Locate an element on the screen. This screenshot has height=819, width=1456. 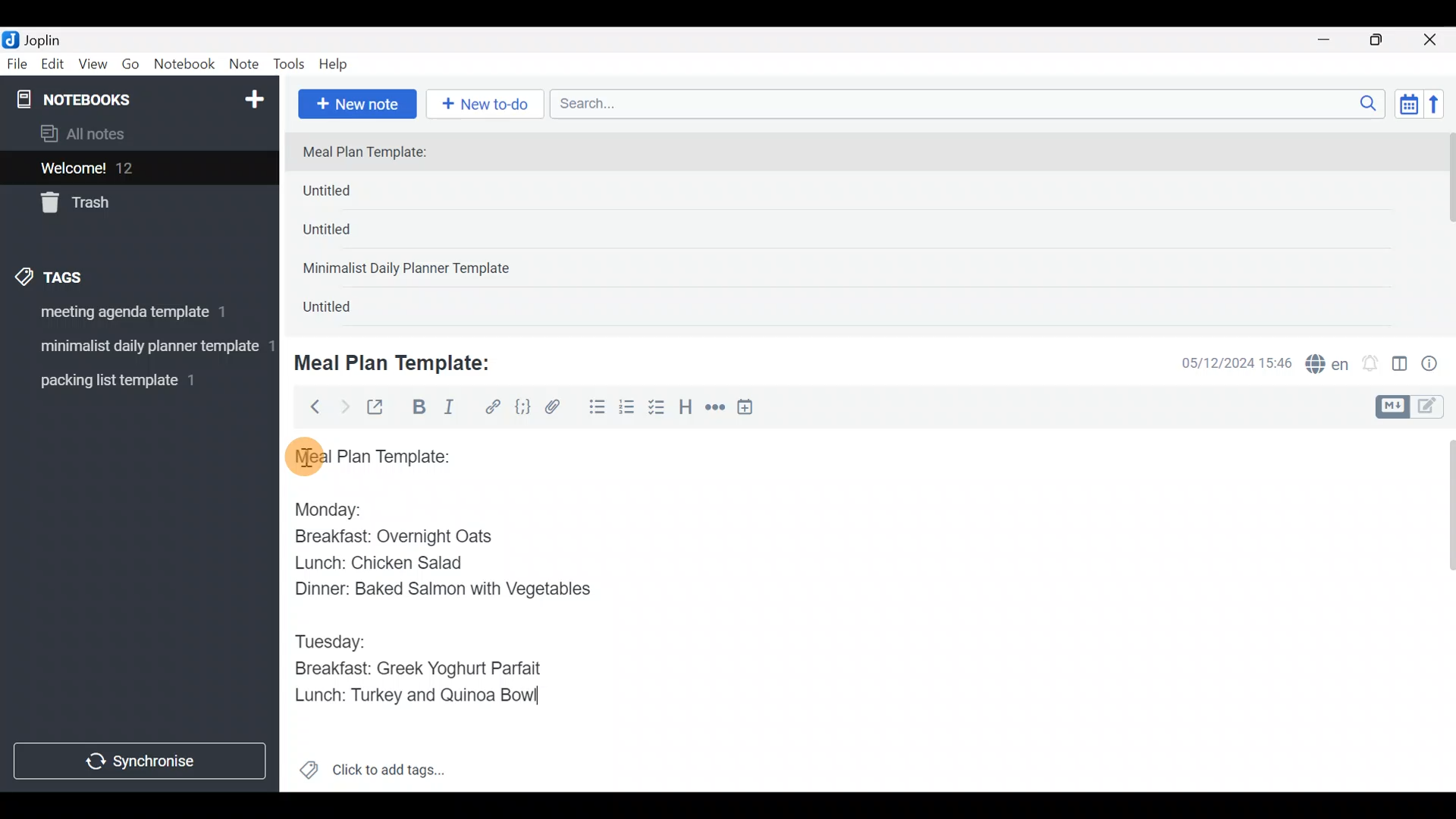
scroll bar is located at coordinates (1446, 229).